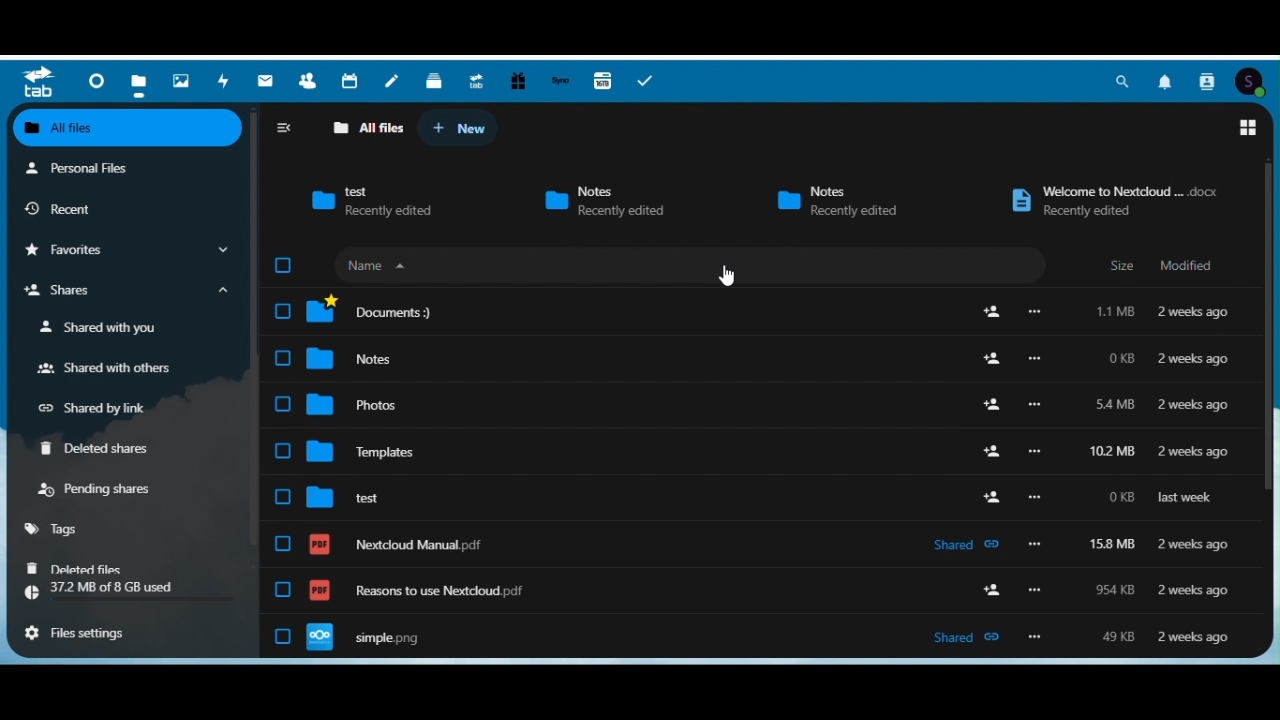 This screenshot has width=1280, height=720. I want to click on notes , so click(761, 359).